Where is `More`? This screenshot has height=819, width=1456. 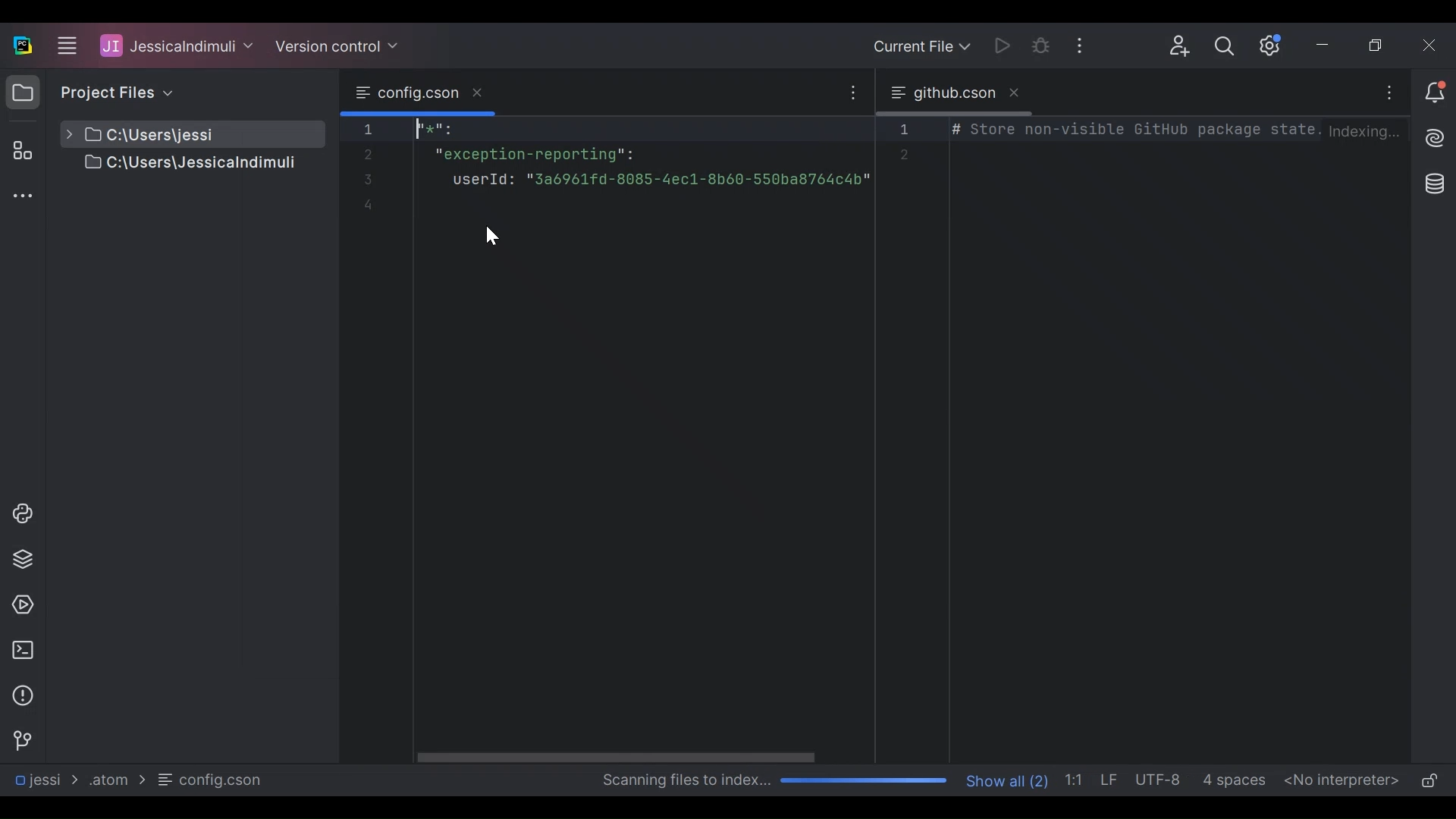 More is located at coordinates (855, 93).